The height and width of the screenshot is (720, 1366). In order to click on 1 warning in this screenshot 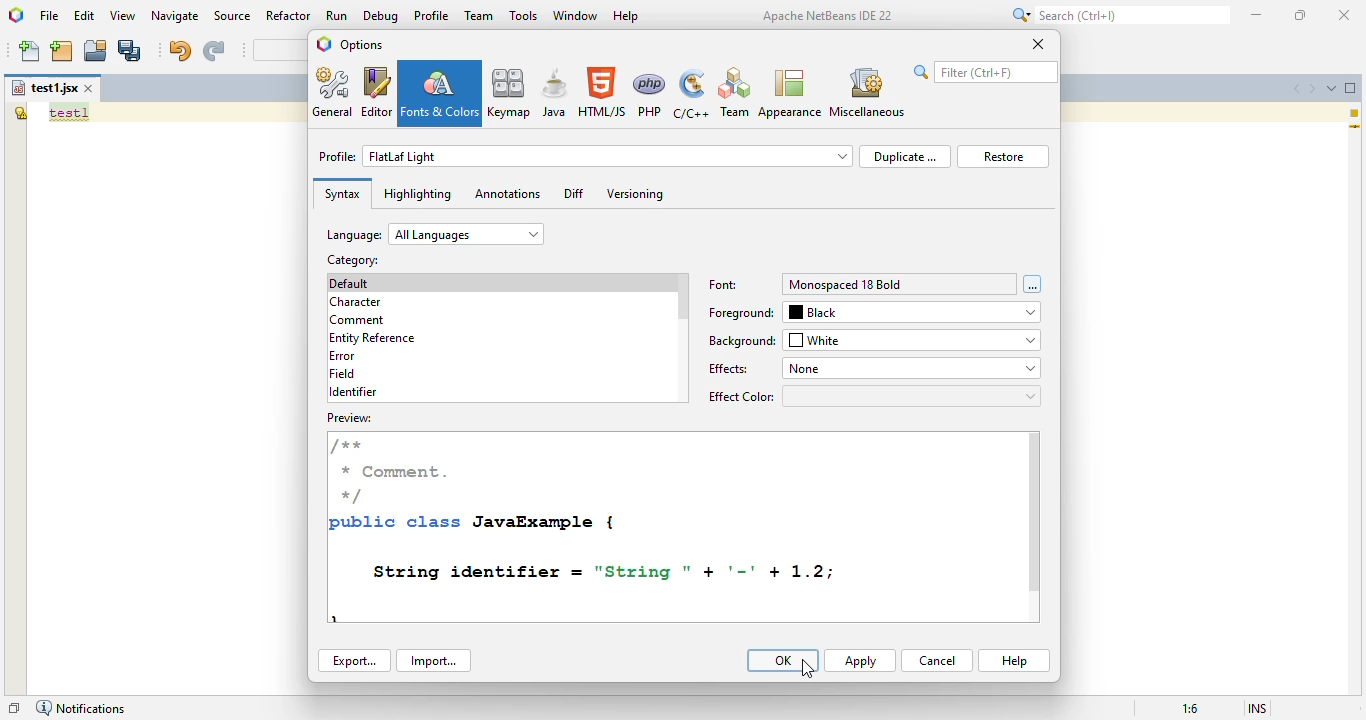, I will do `click(1357, 113)`.